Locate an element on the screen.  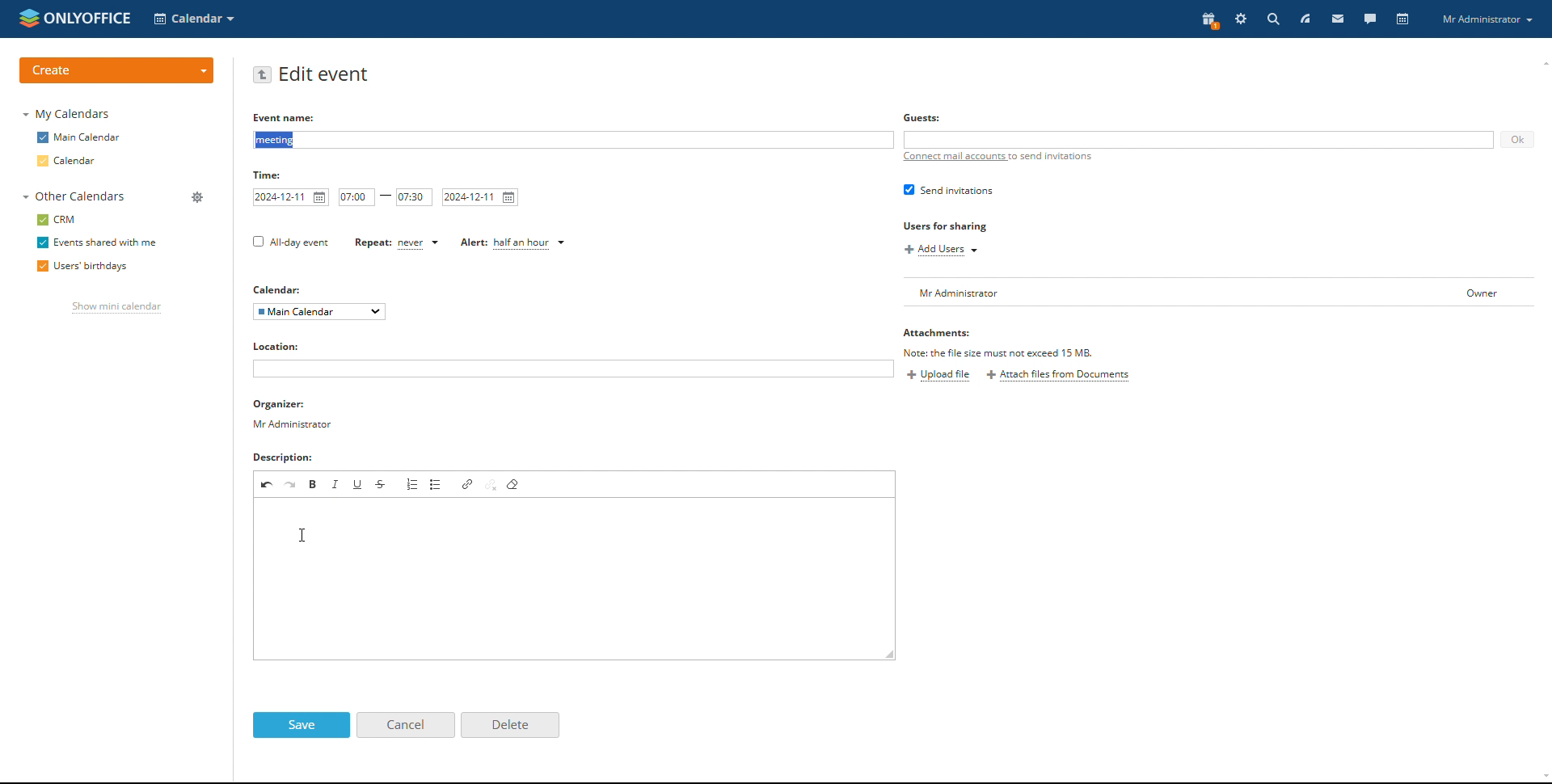
save is located at coordinates (300, 726).